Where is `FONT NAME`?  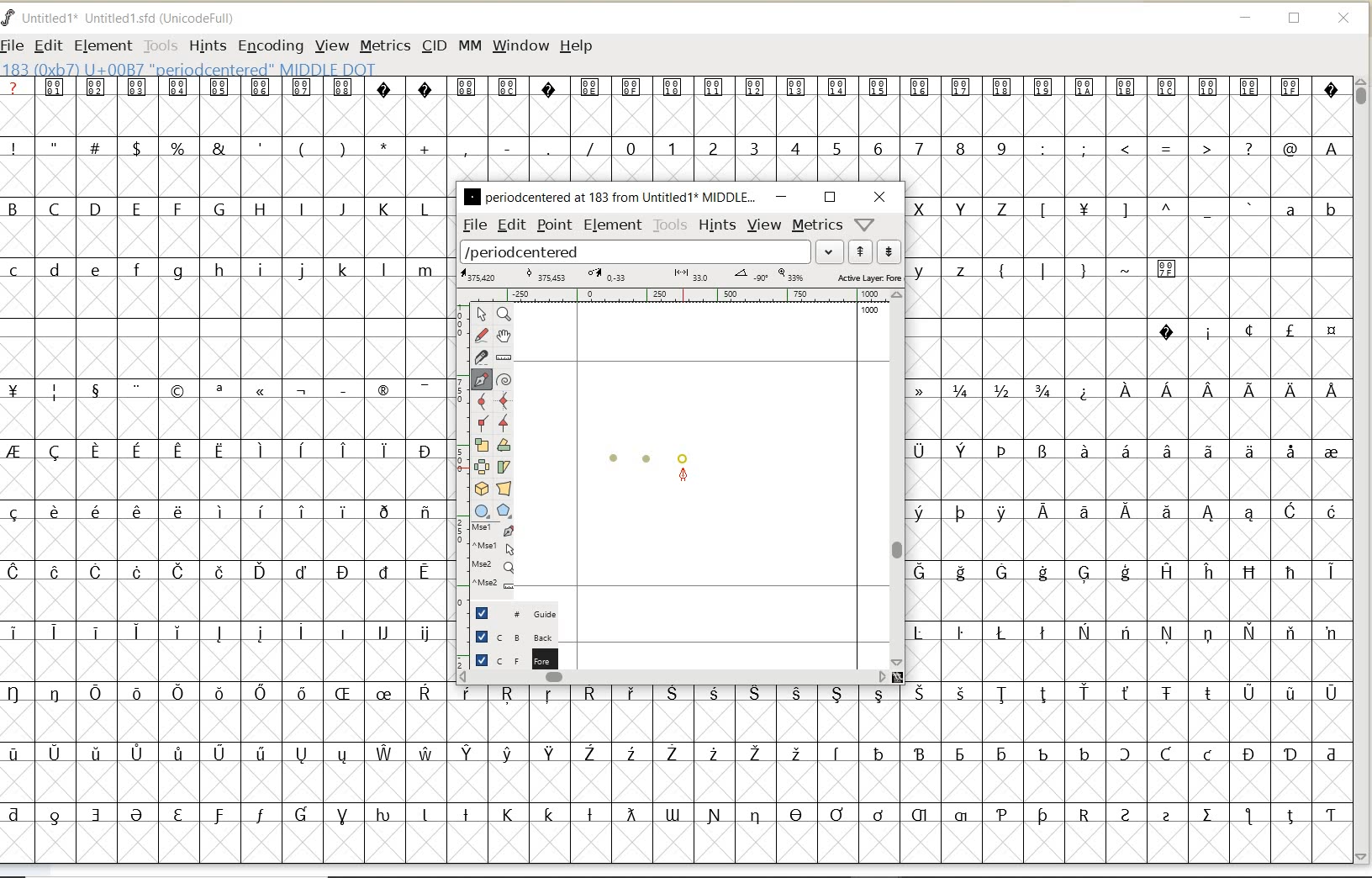
FONT NAME is located at coordinates (131, 19).